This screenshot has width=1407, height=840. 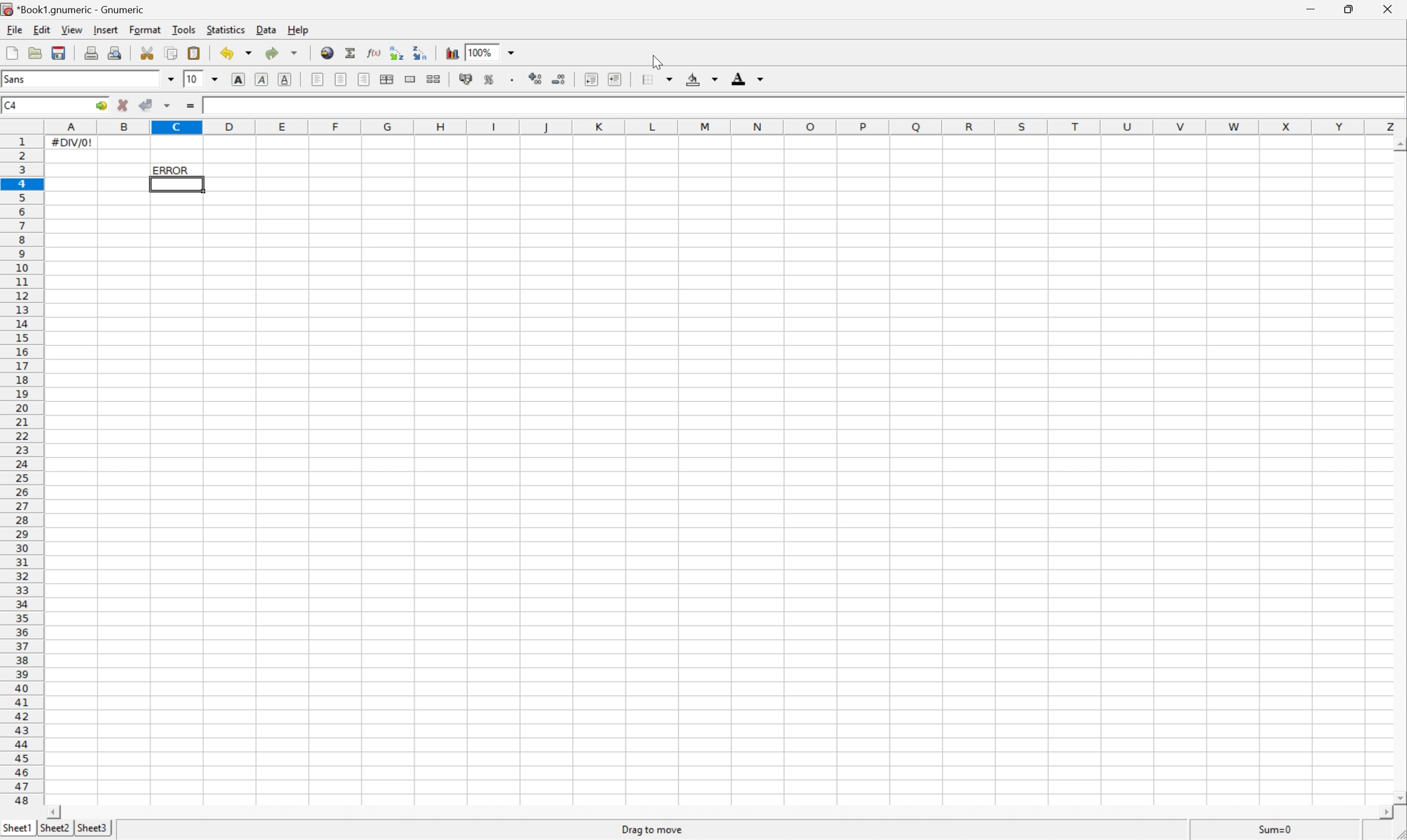 What do you see at coordinates (537, 79) in the screenshot?
I see `Increase the number of decimals displayed` at bounding box center [537, 79].